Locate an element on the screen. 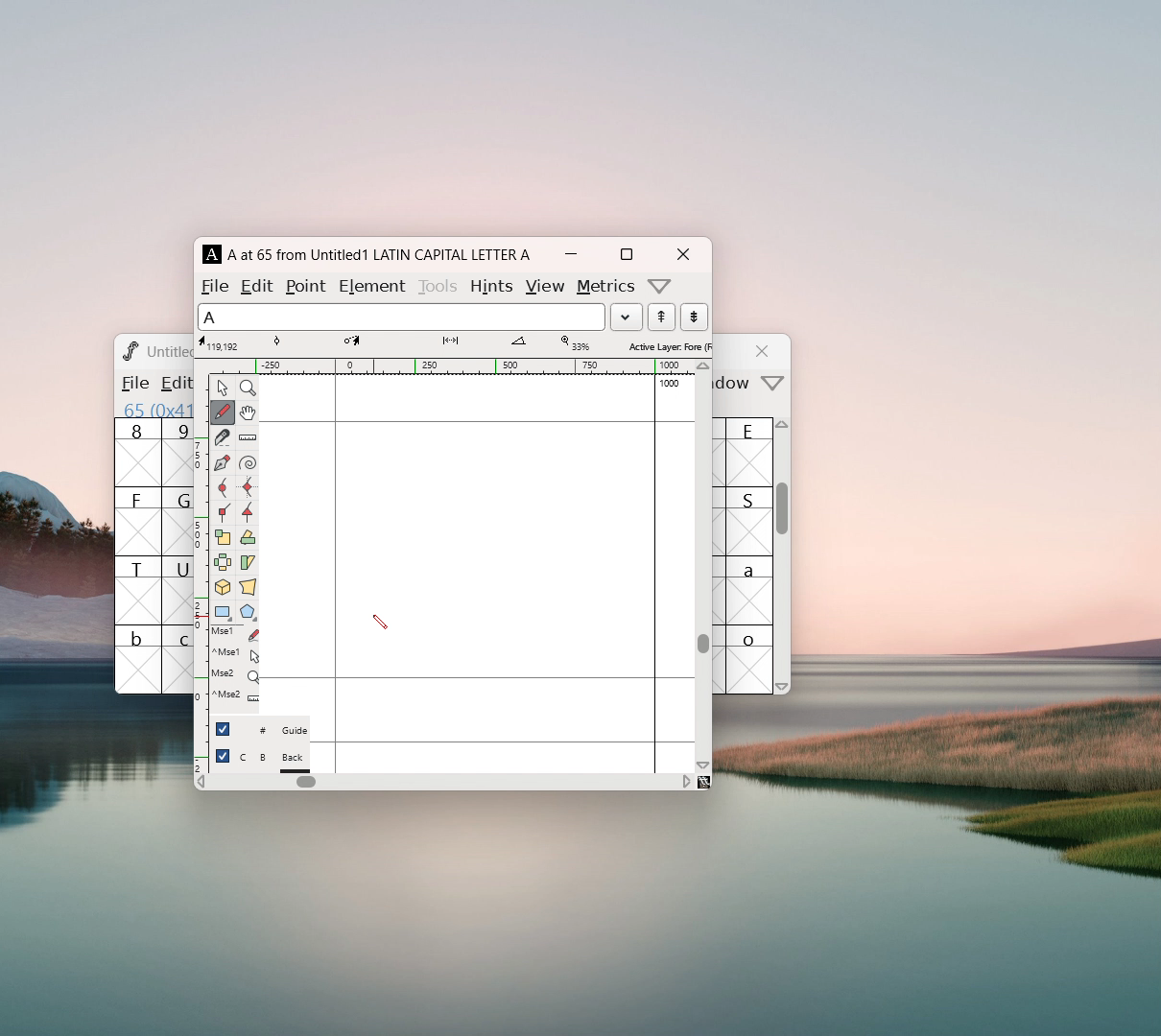  scroll down is located at coordinates (703, 765).